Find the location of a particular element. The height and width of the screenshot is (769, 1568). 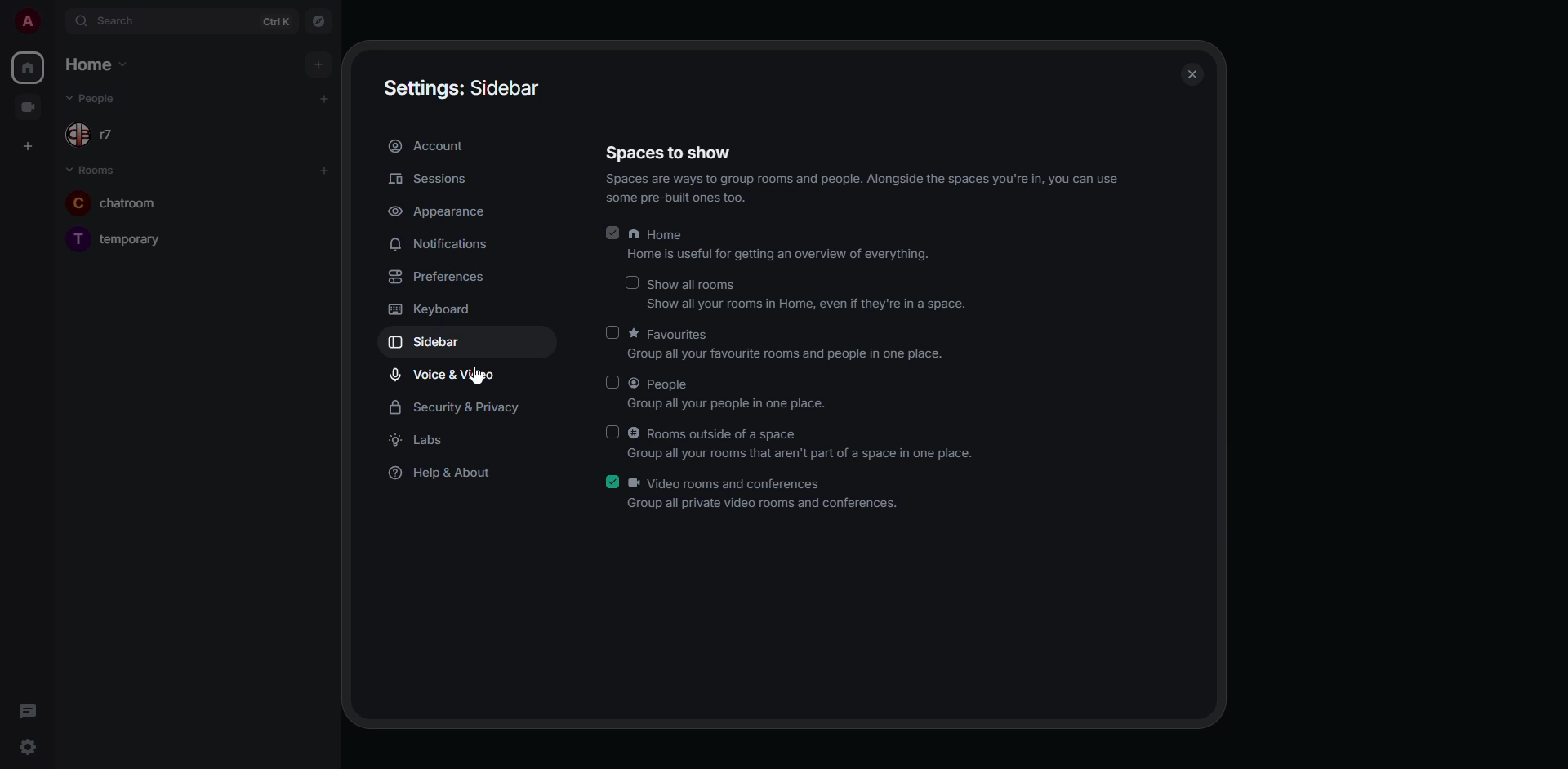

ctrl K is located at coordinates (276, 22).